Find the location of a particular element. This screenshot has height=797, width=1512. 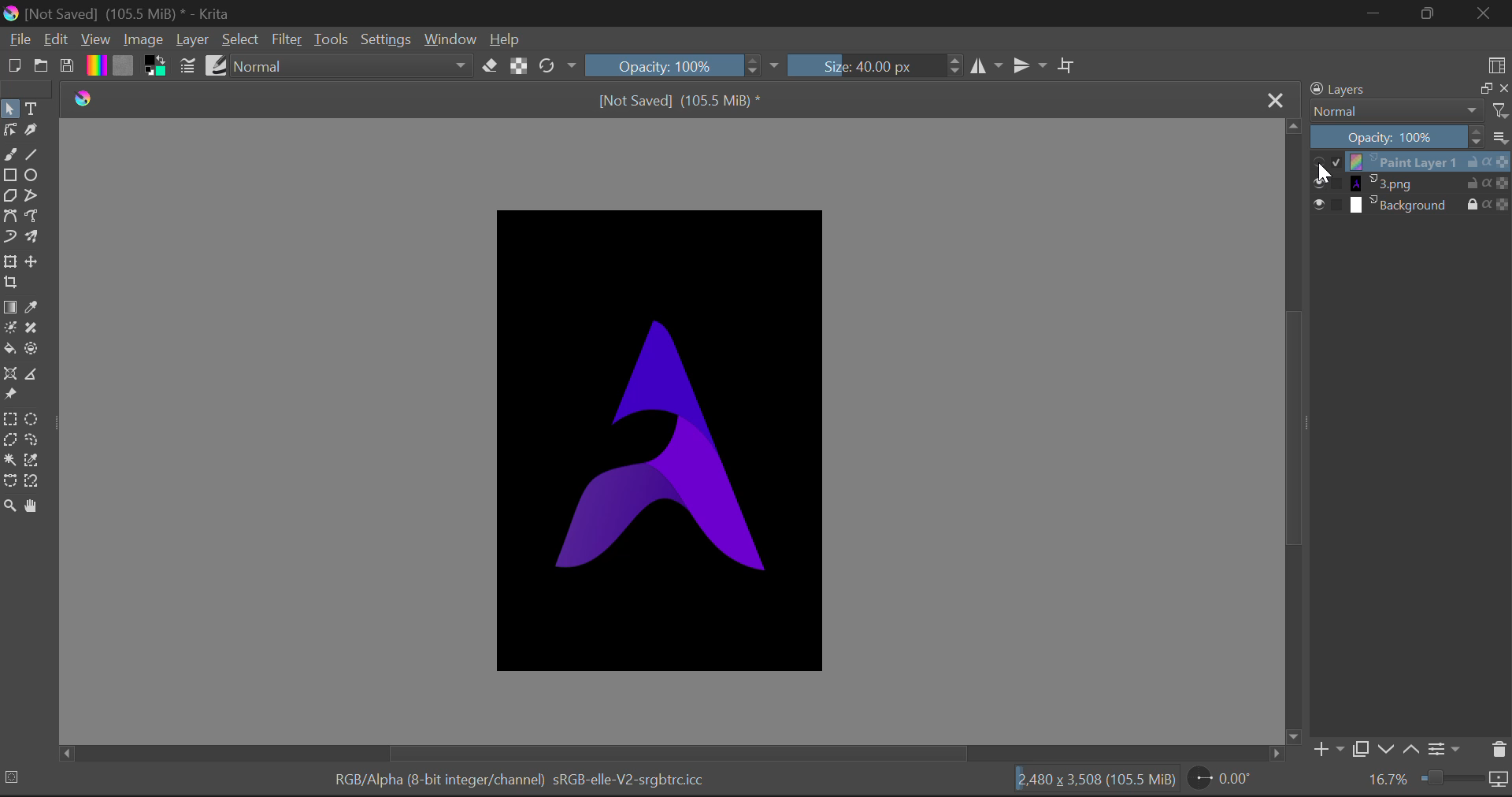

RGB/Alpha (8-bit integer/channel) sRGB-elle-V2-srgbtrc.icc is located at coordinates (521, 780).